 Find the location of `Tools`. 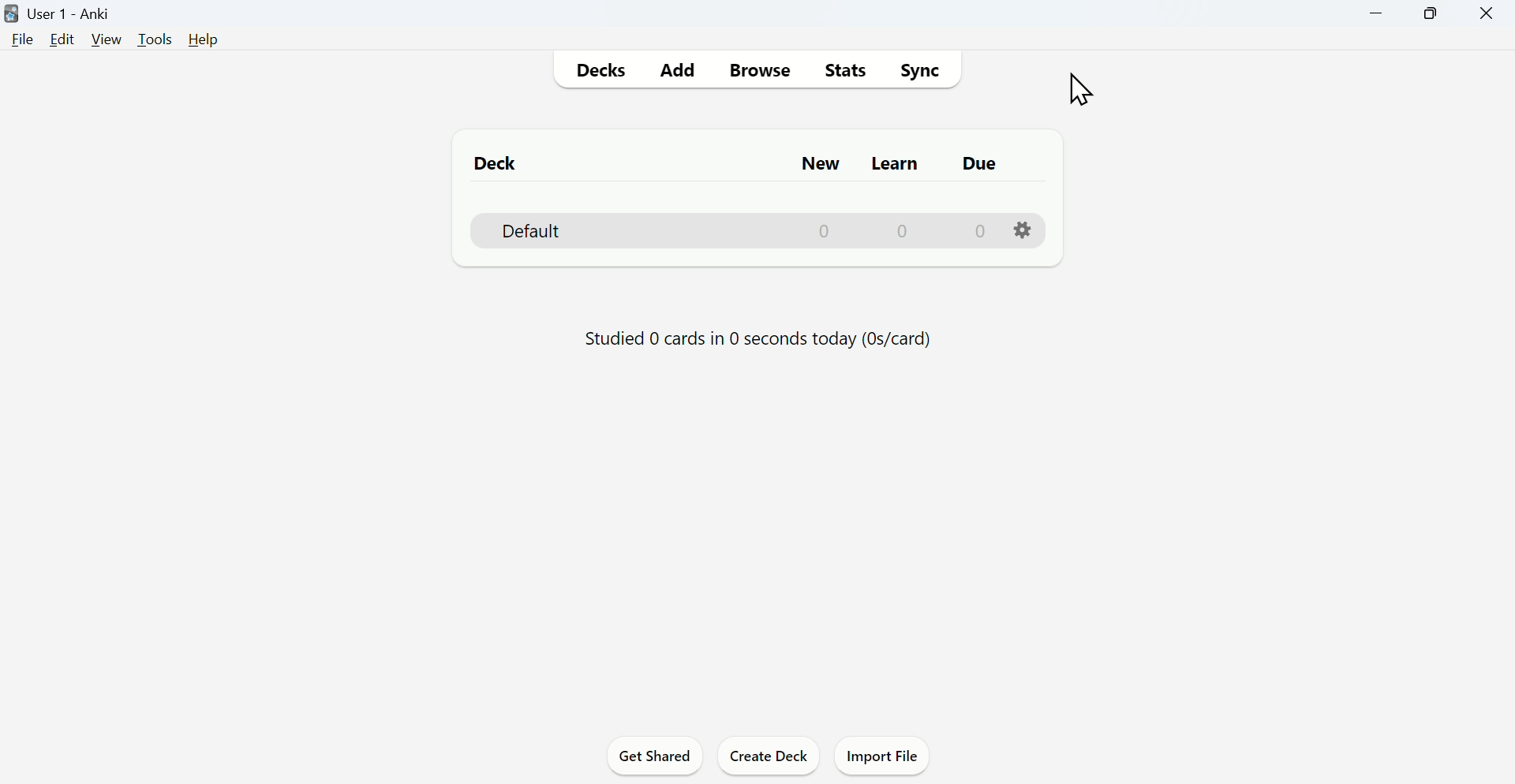

Tools is located at coordinates (157, 39).